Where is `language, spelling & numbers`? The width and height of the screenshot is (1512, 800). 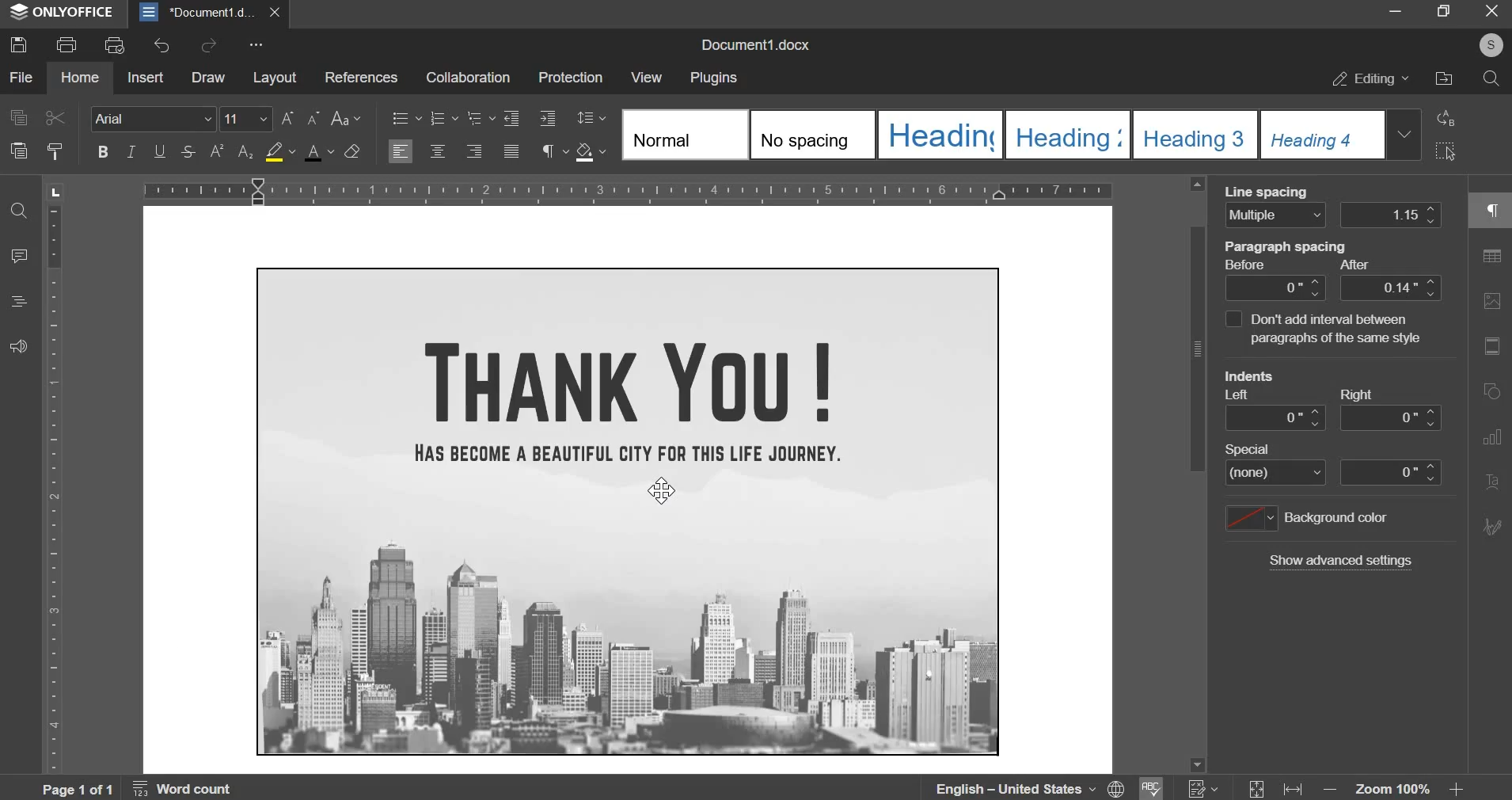
language, spelling & numbers is located at coordinates (1077, 786).